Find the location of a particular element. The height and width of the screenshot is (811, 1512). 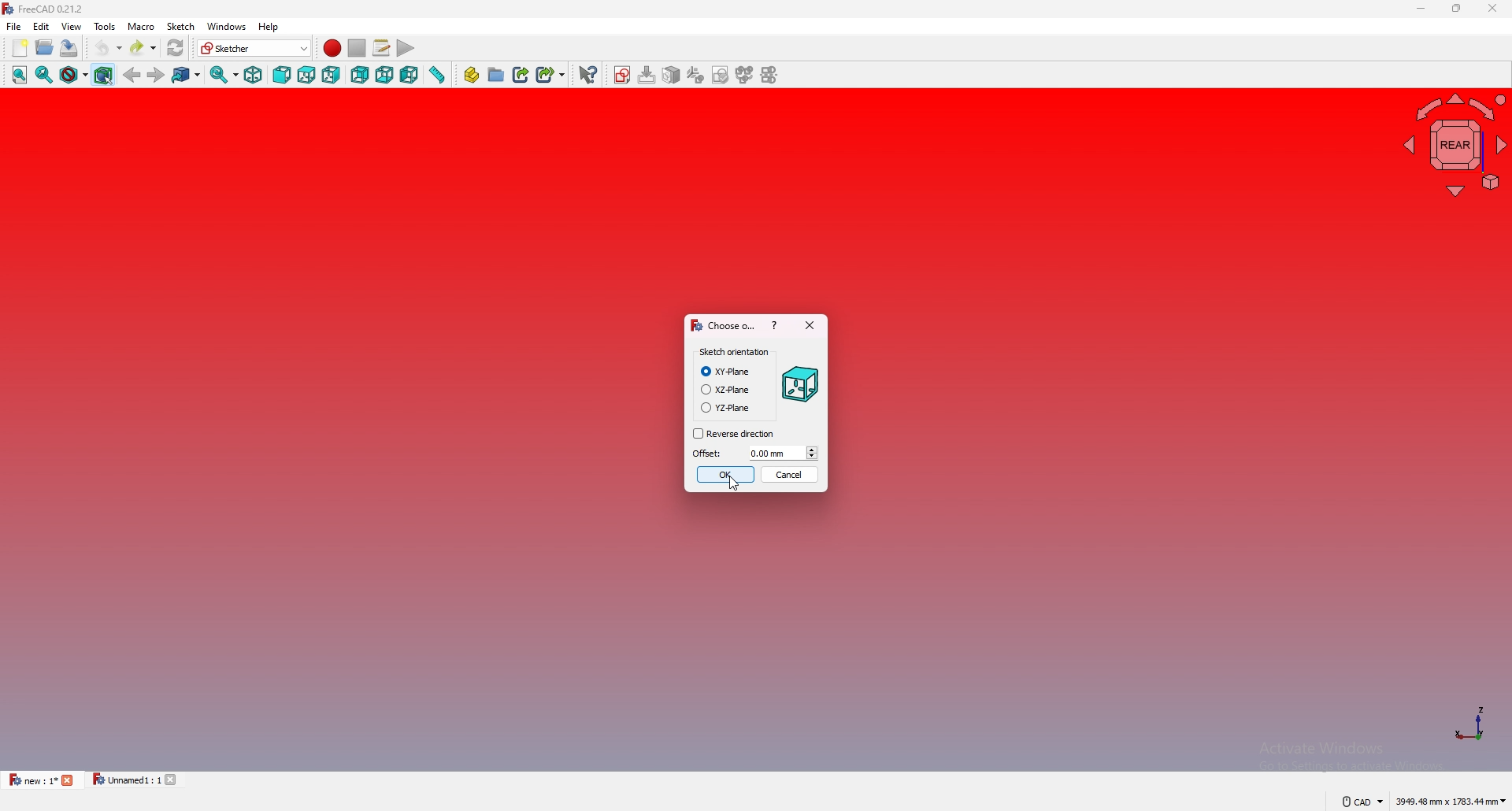

Sketches is located at coordinates (624, 74).